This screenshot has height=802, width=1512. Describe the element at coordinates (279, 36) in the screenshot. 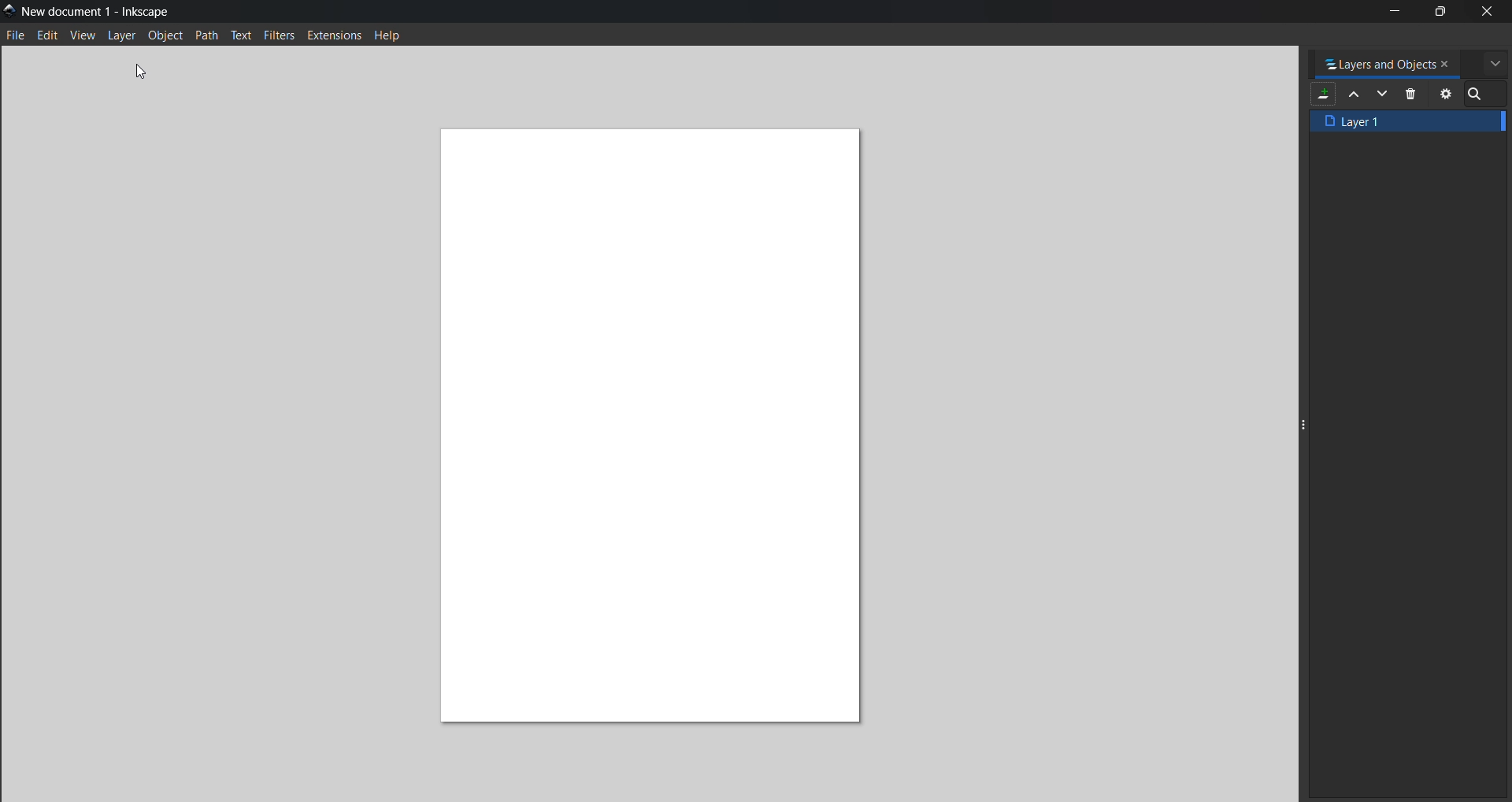

I see `filters` at that location.